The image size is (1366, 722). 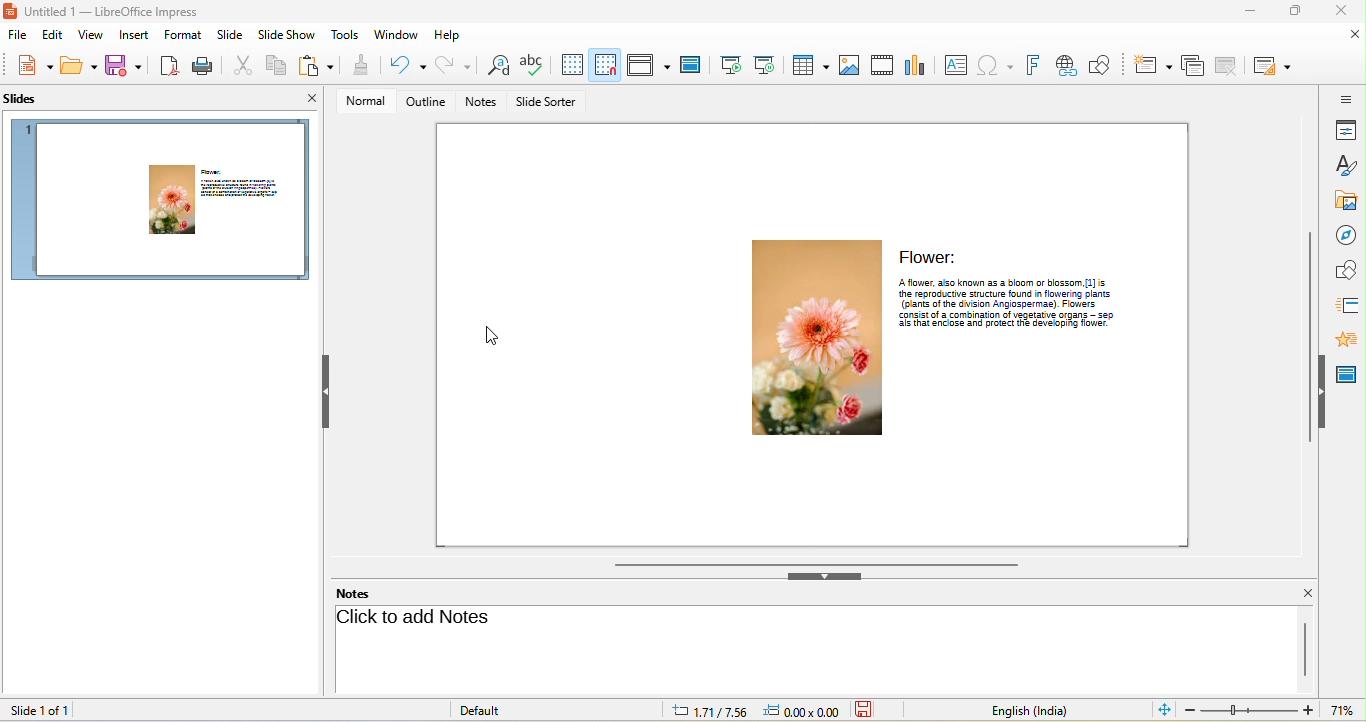 What do you see at coordinates (135, 35) in the screenshot?
I see `insert` at bounding box center [135, 35].